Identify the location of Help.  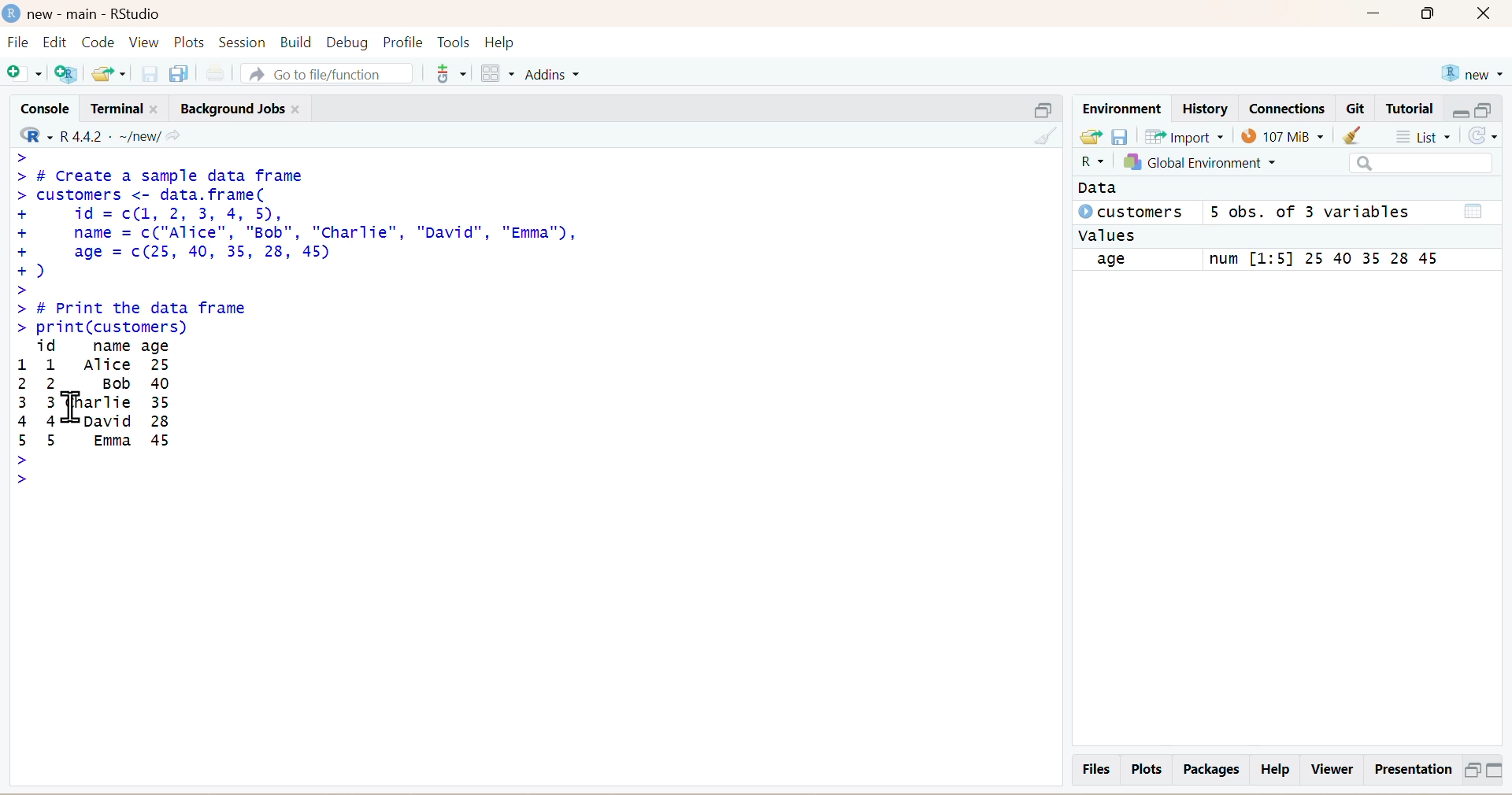
(1277, 770).